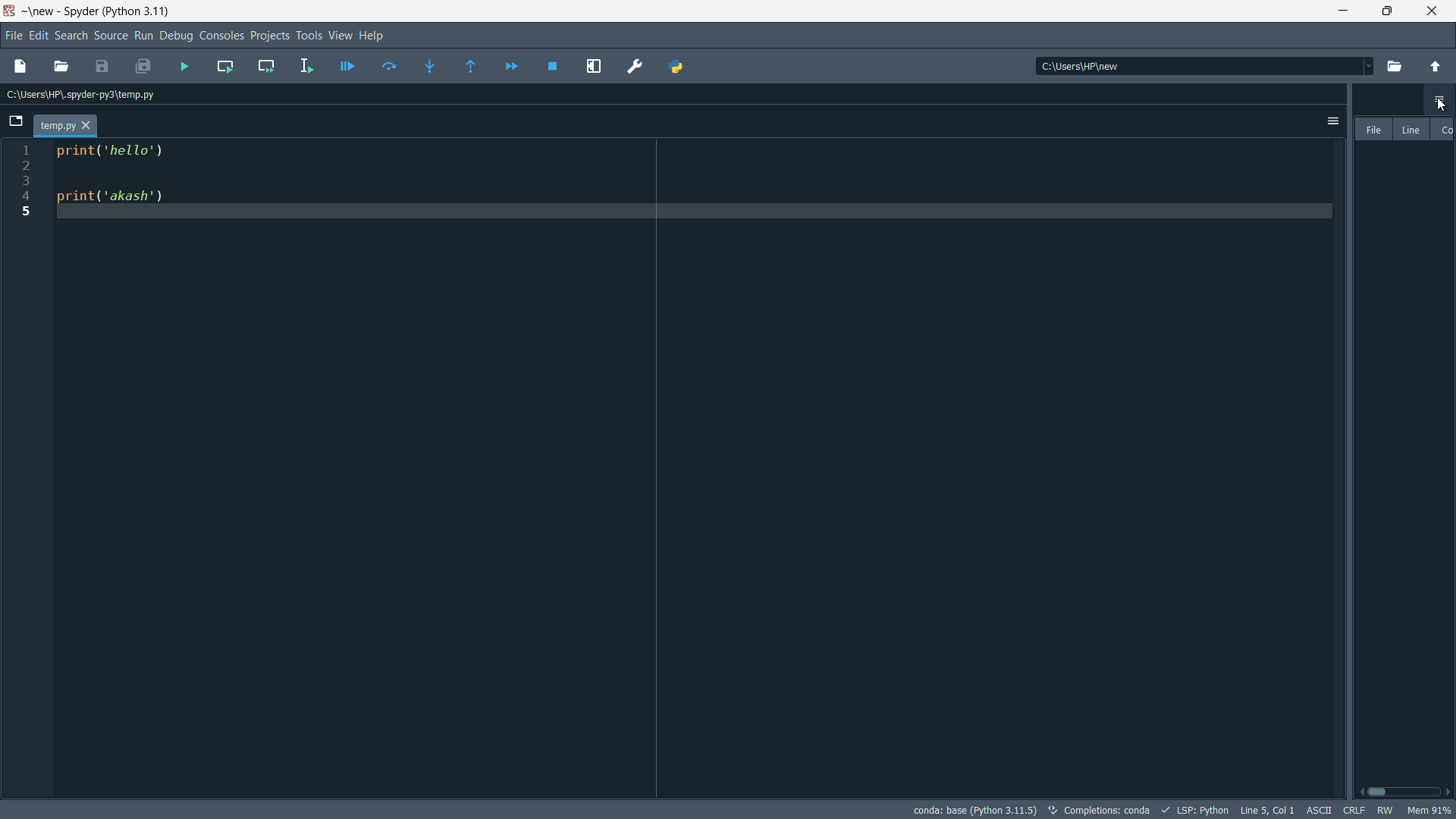 This screenshot has width=1456, height=819. What do you see at coordinates (70, 35) in the screenshot?
I see `Search Menu` at bounding box center [70, 35].